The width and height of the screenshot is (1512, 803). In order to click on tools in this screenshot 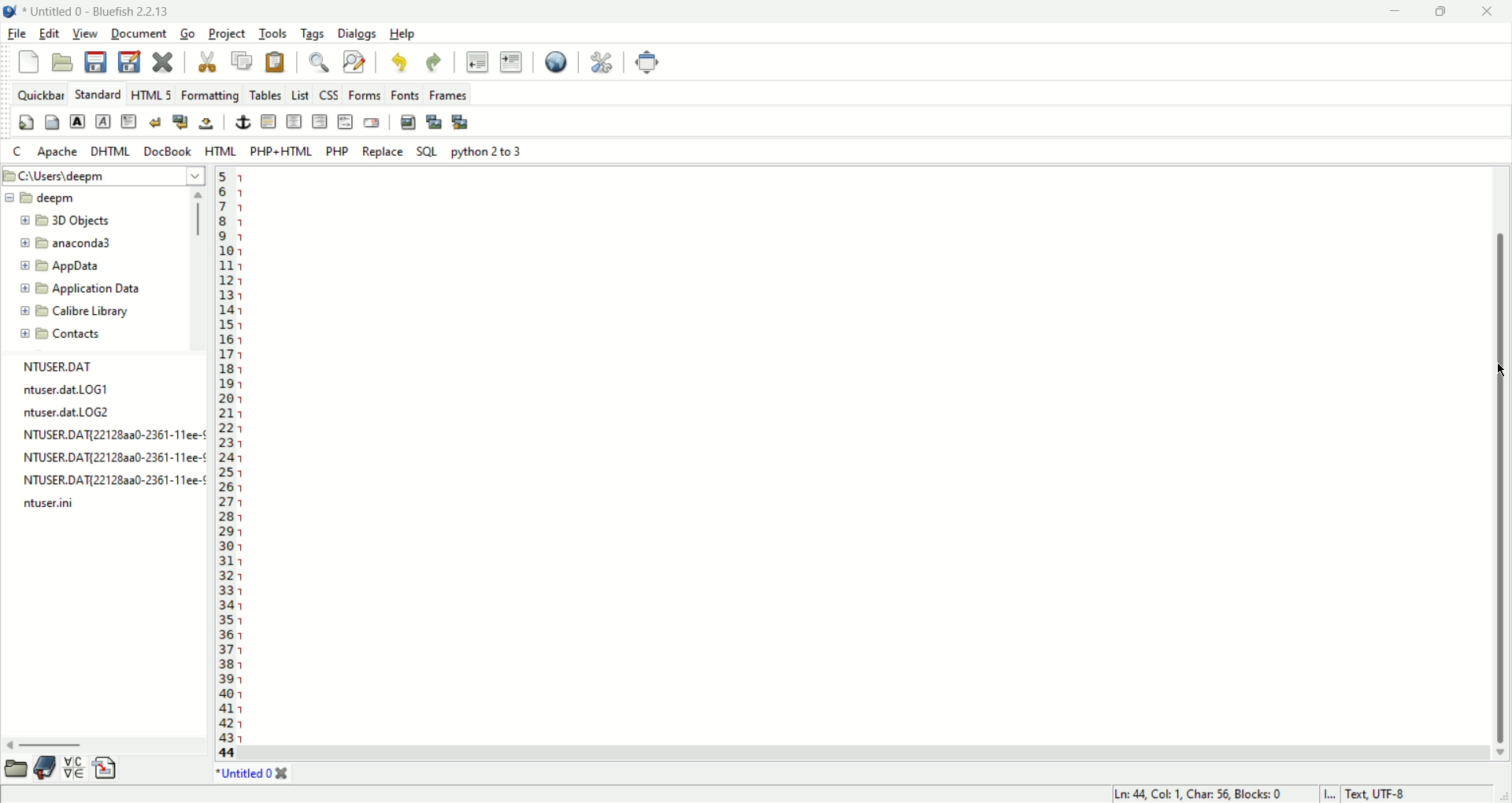, I will do `click(273, 34)`.